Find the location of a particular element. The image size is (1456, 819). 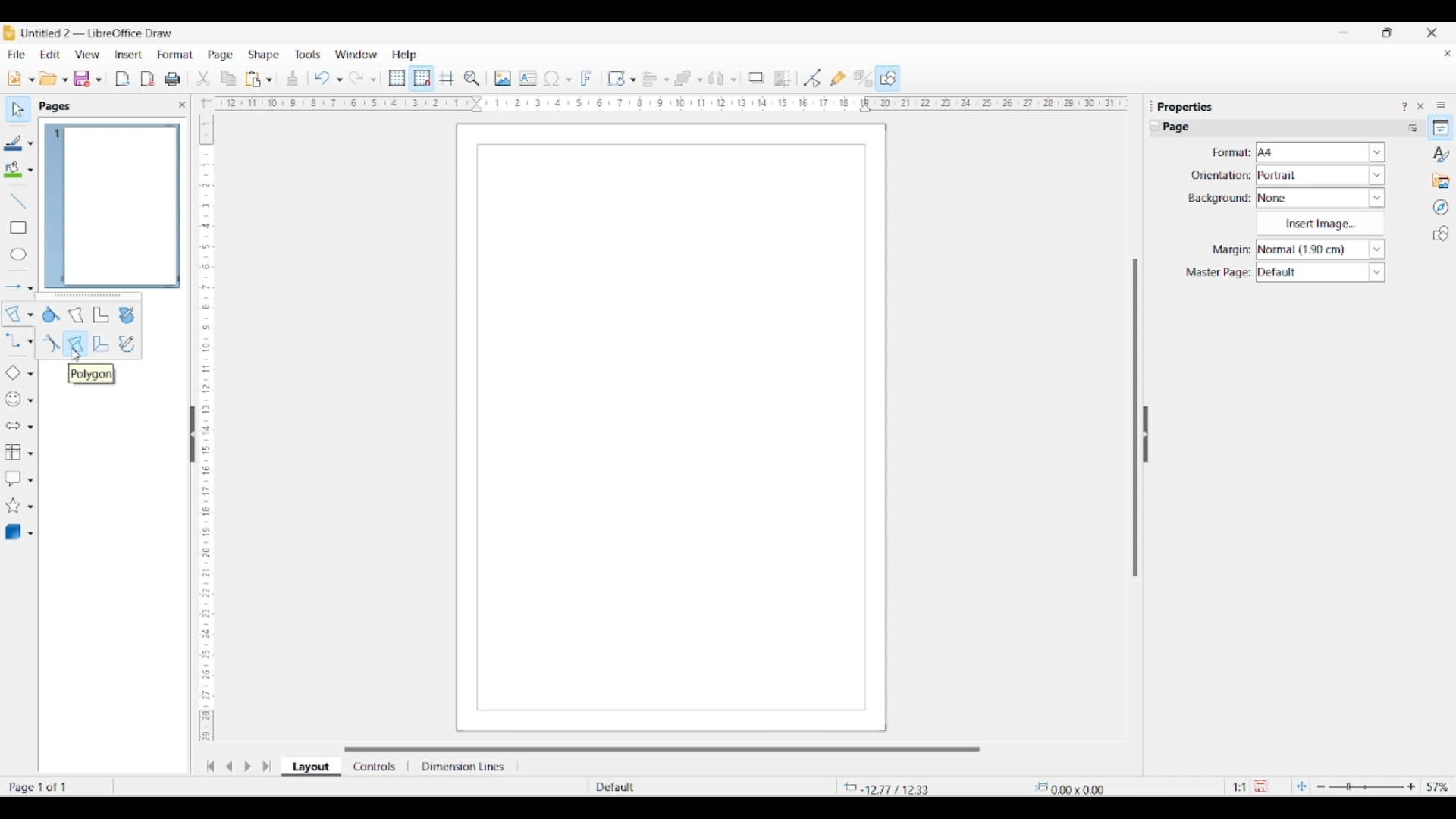

Jump to the last slide is located at coordinates (267, 766).